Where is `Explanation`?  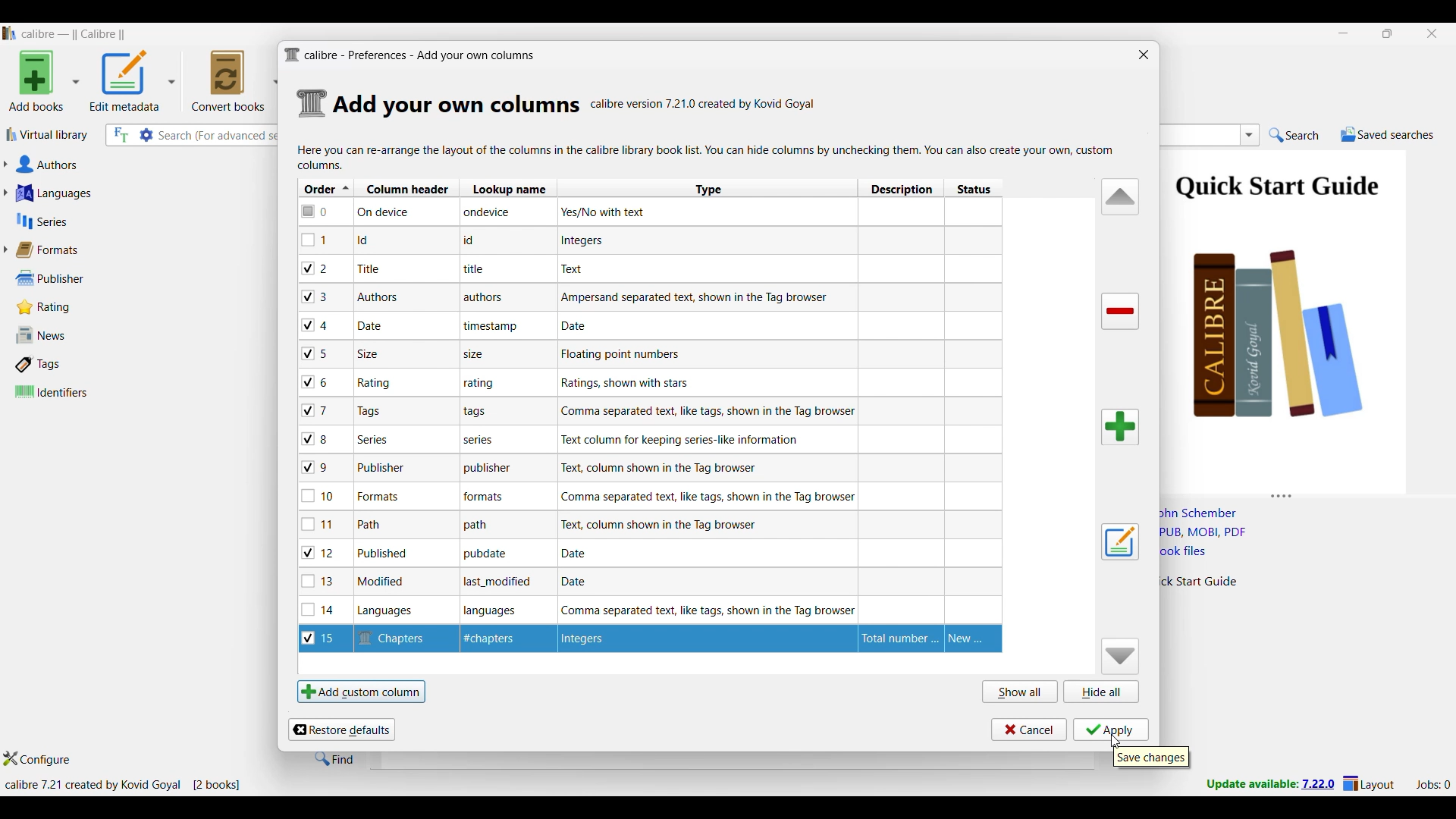 Explanation is located at coordinates (581, 582).